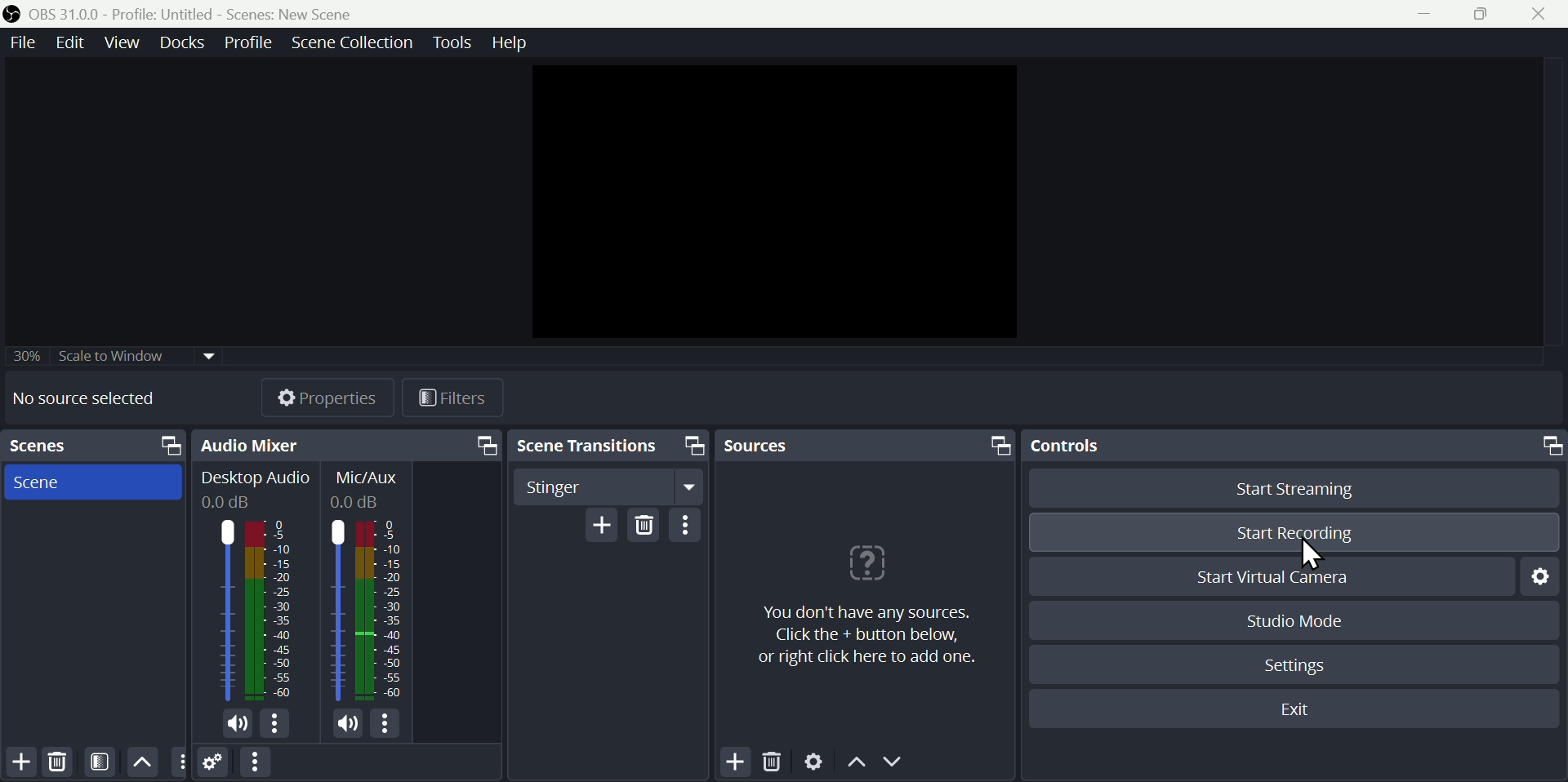 The height and width of the screenshot is (782, 1568). Describe the element at coordinates (385, 726) in the screenshot. I see `options` at that location.